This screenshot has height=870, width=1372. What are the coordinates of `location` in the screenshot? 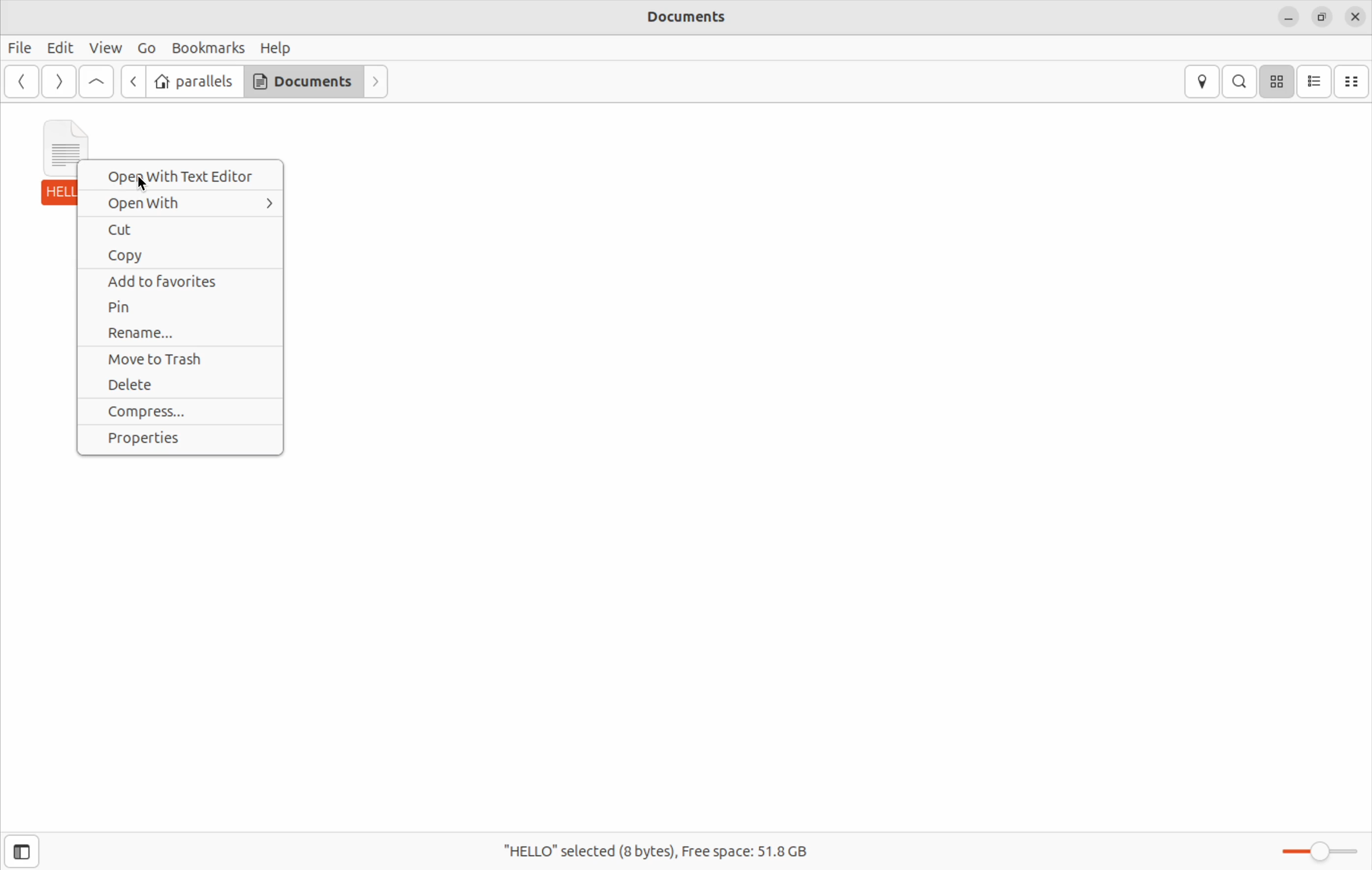 It's located at (1199, 80).